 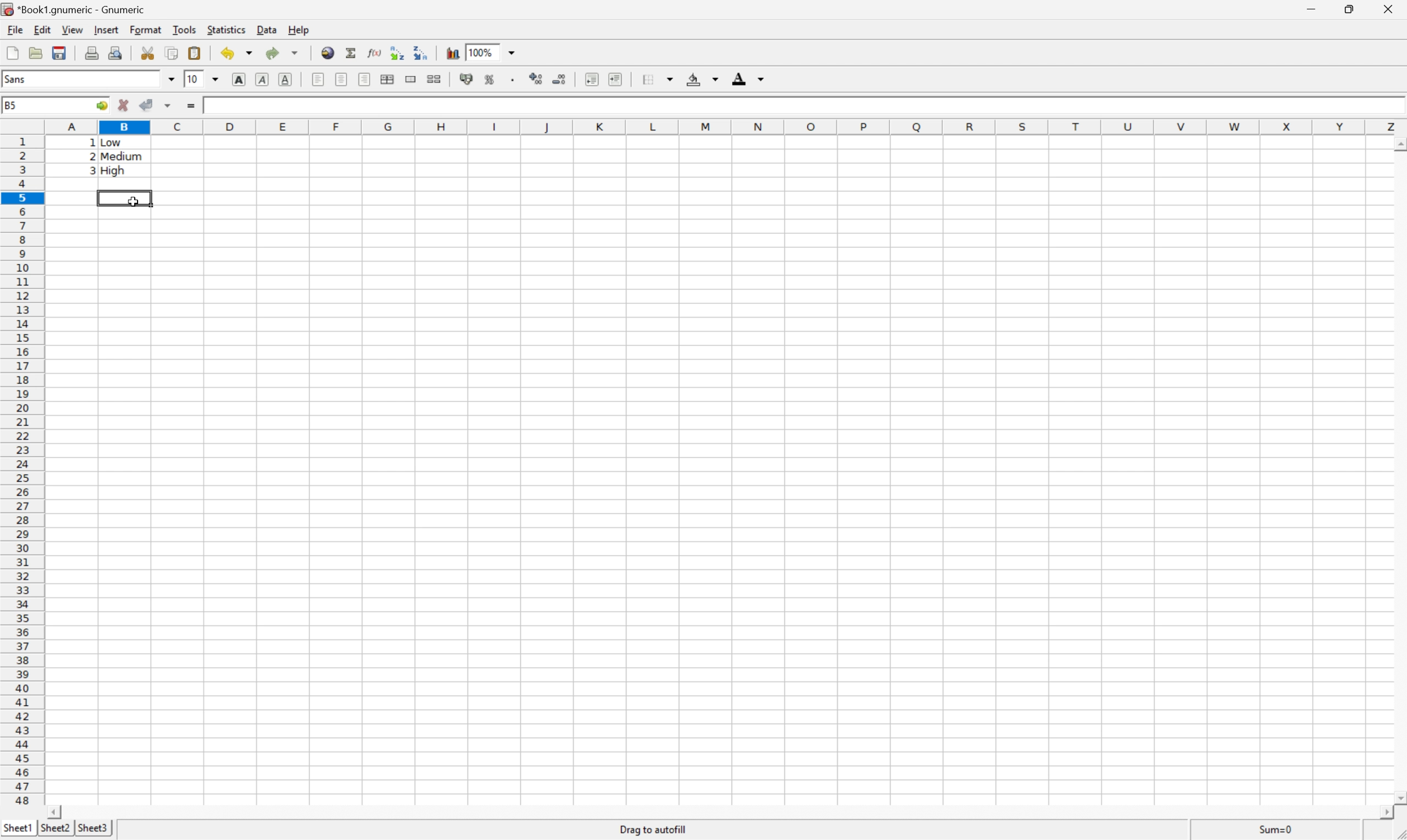 I want to click on Drag to autofill, so click(x=655, y=830).